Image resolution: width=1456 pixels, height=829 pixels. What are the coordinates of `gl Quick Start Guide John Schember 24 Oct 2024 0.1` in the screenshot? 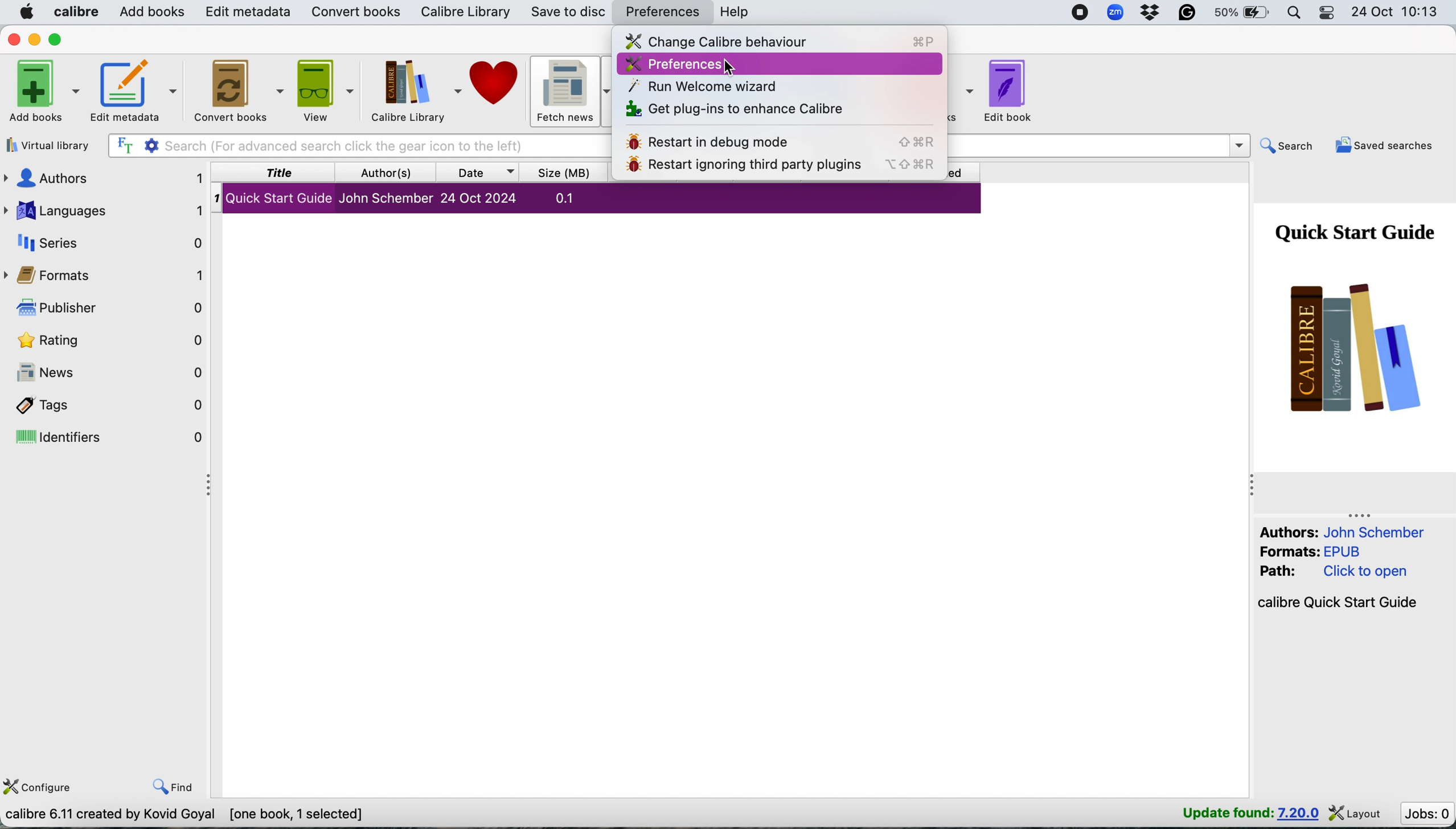 It's located at (413, 200).